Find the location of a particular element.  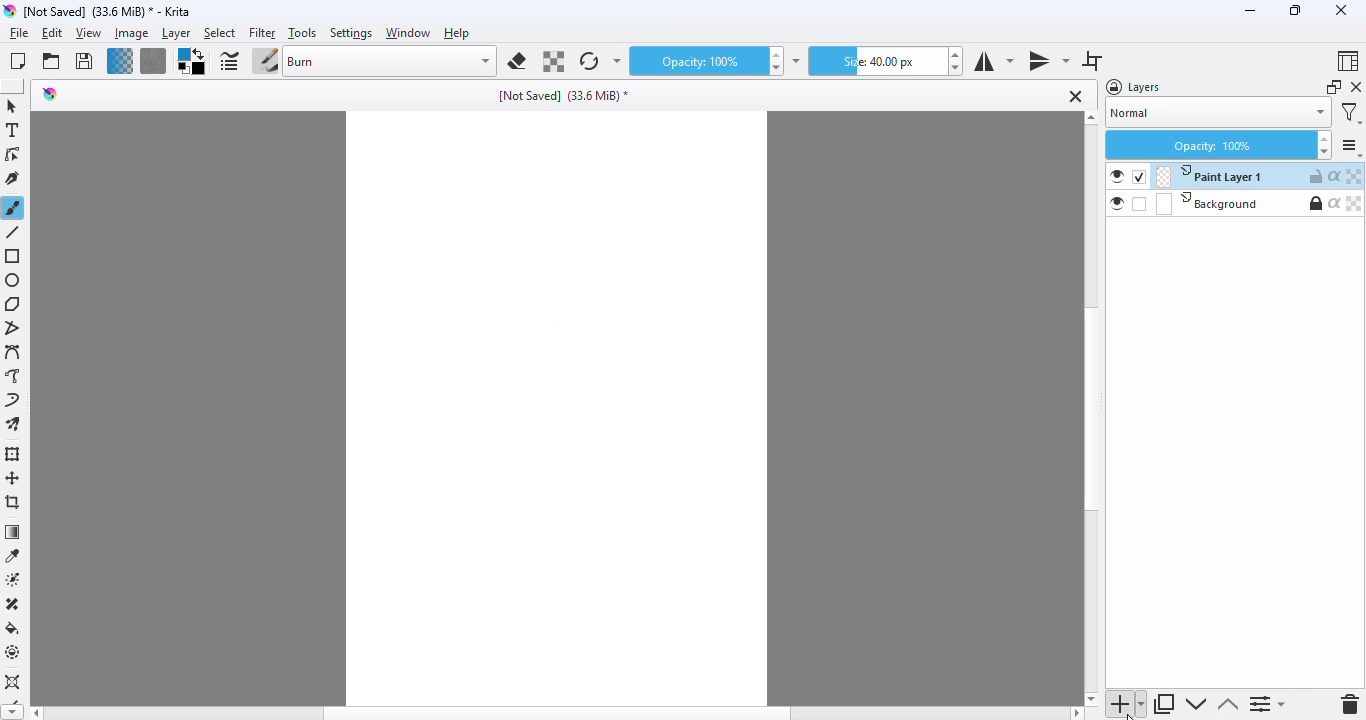

horizontal mirror tool is located at coordinates (992, 61).